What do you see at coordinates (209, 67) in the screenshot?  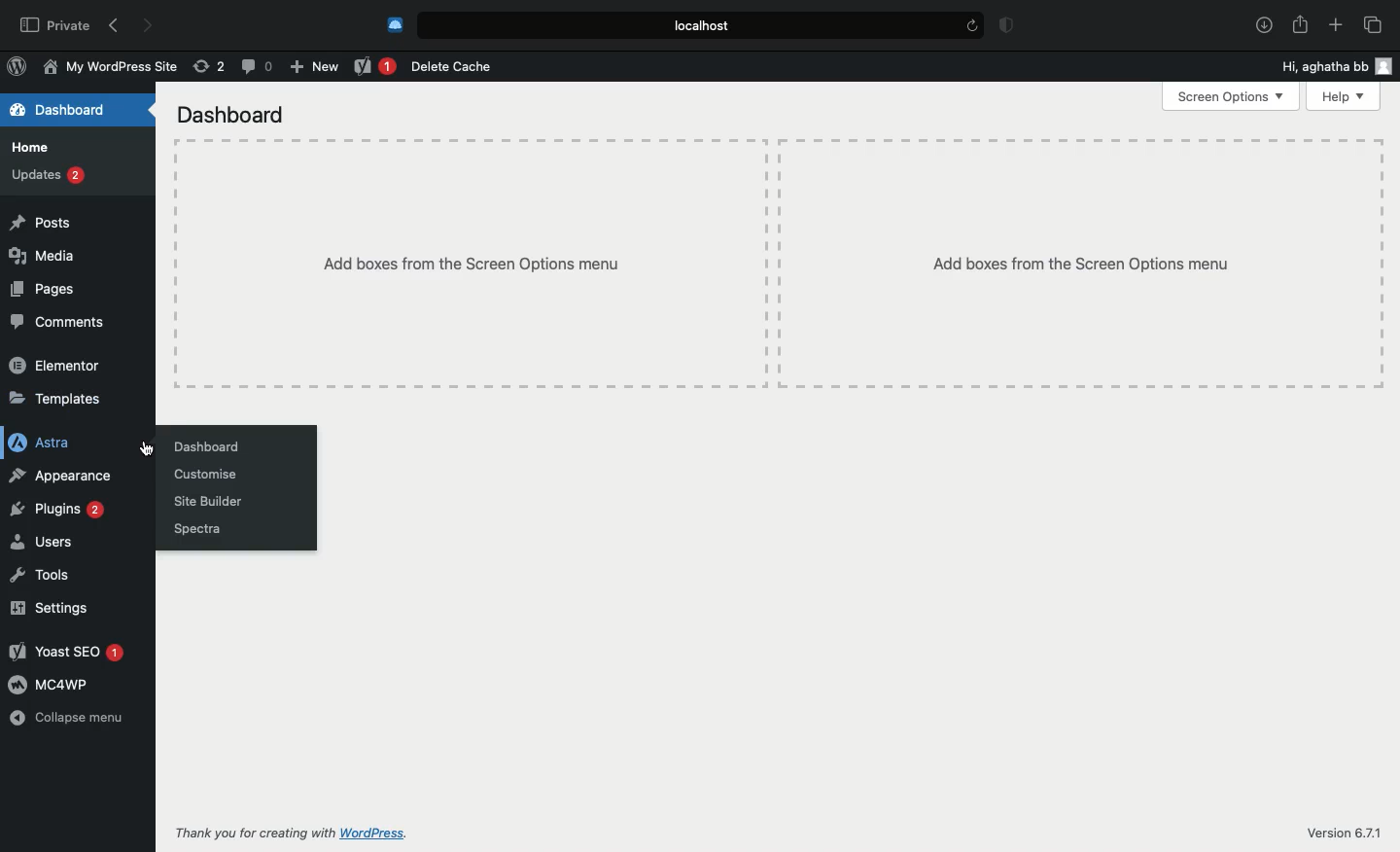 I see `Revision (2)` at bounding box center [209, 67].